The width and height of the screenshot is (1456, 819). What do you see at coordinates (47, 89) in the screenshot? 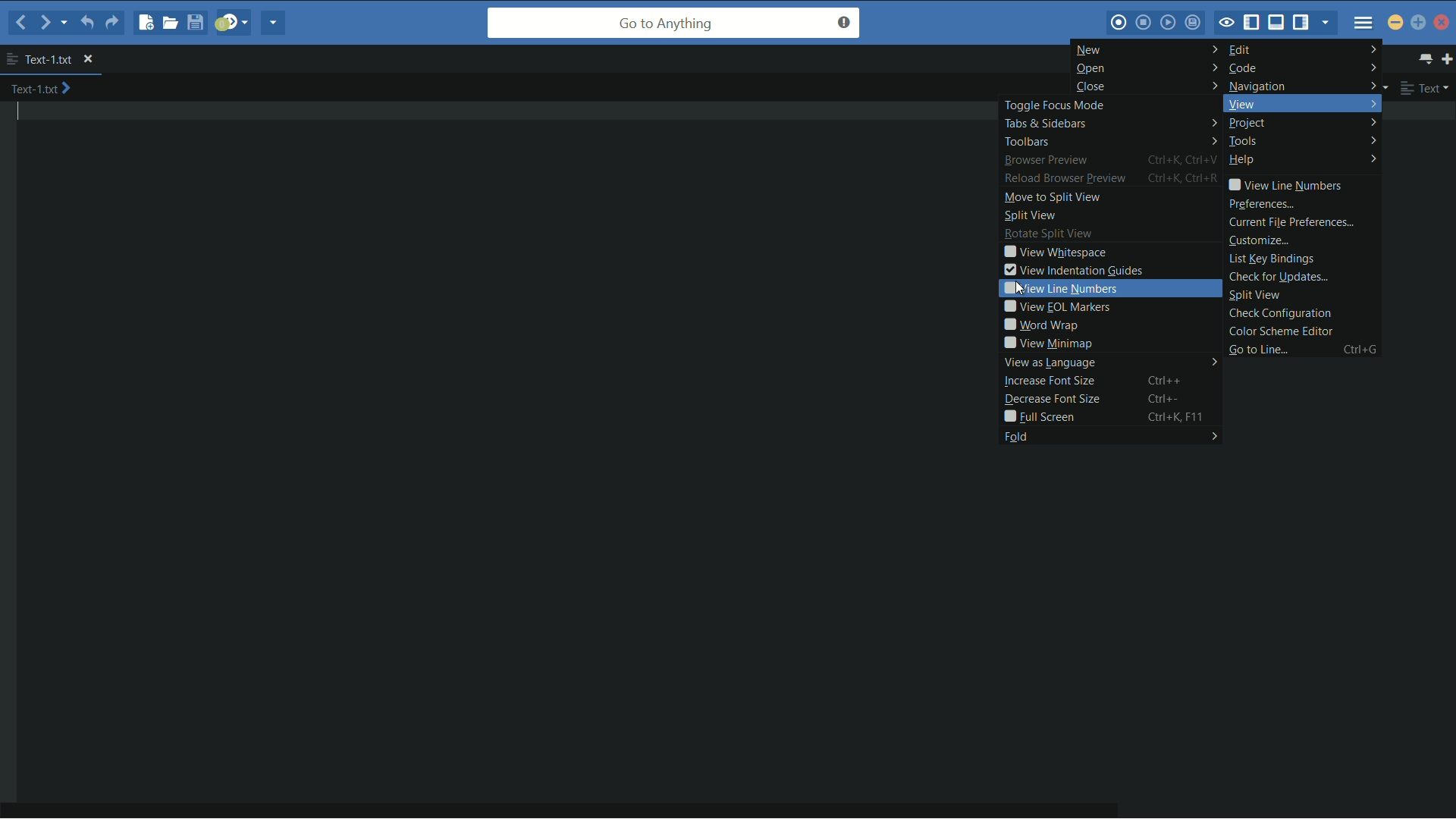
I see `text-1.txt` at bounding box center [47, 89].